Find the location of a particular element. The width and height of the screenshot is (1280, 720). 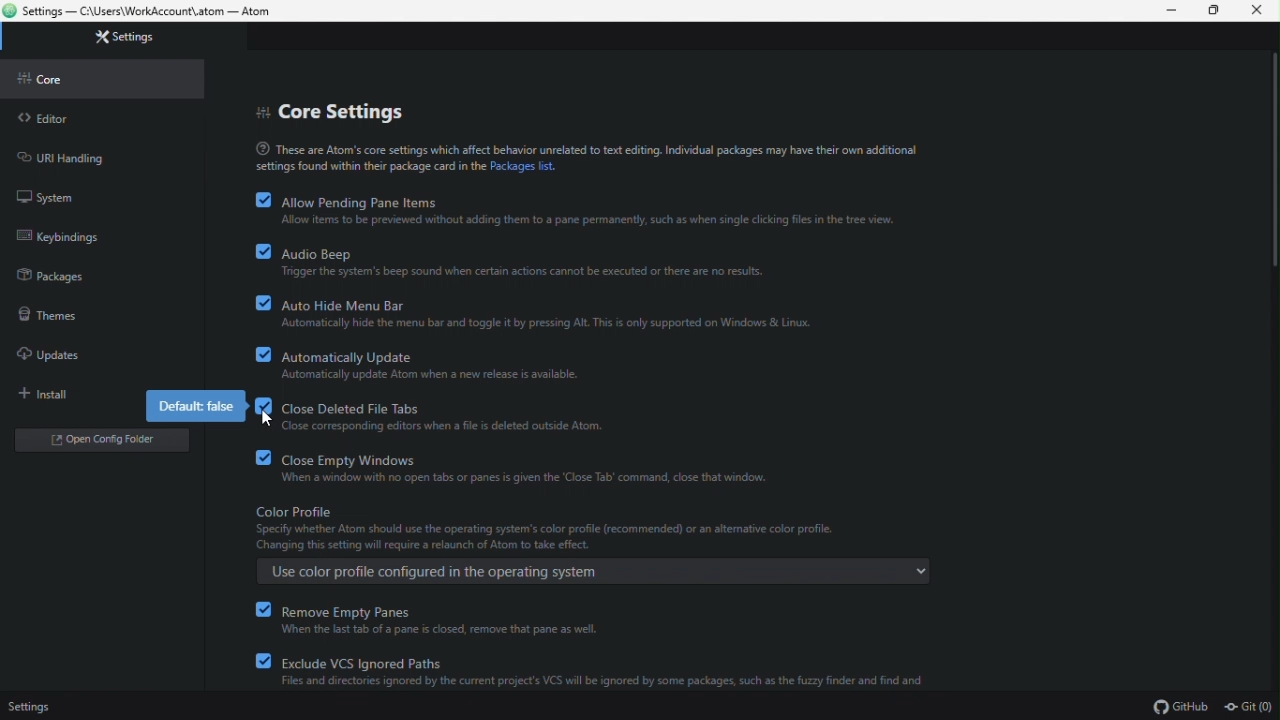

default false is located at coordinates (195, 407).